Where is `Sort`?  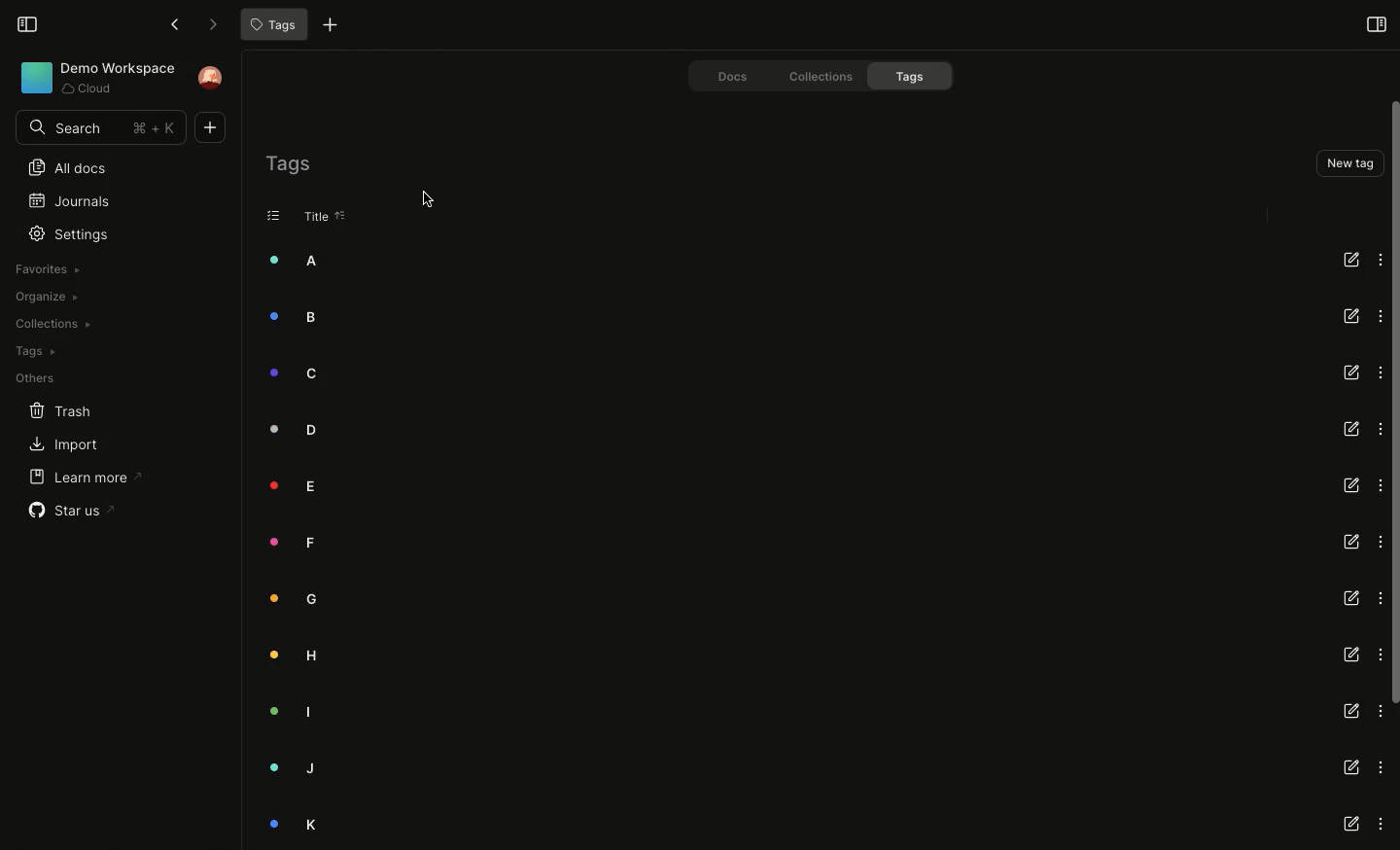 Sort is located at coordinates (341, 216).